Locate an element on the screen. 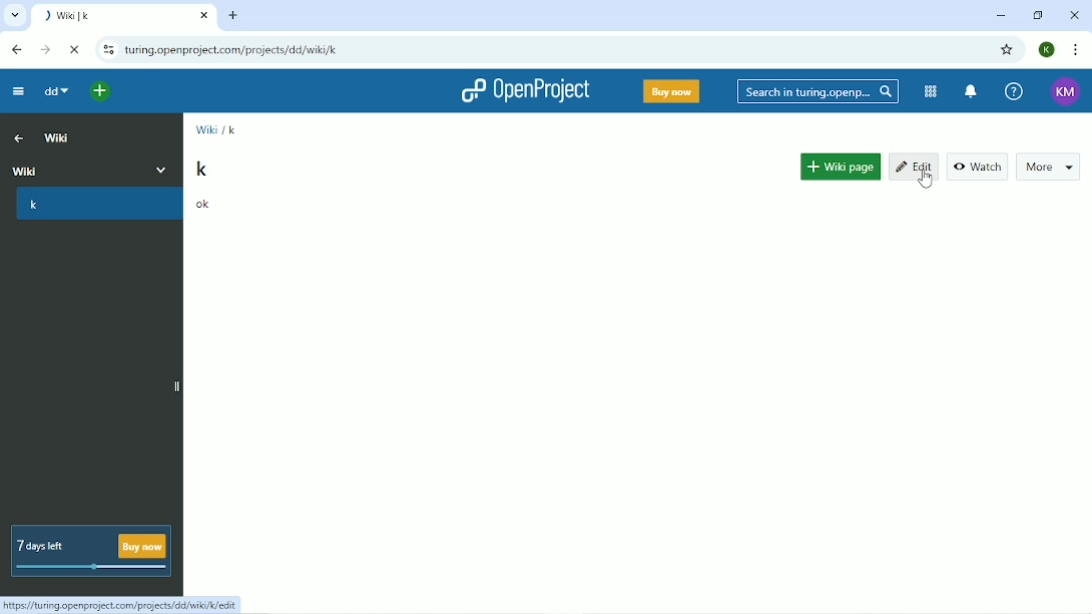 The height and width of the screenshot is (614, 1092). Wiki page is located at coordinates (840, 163).